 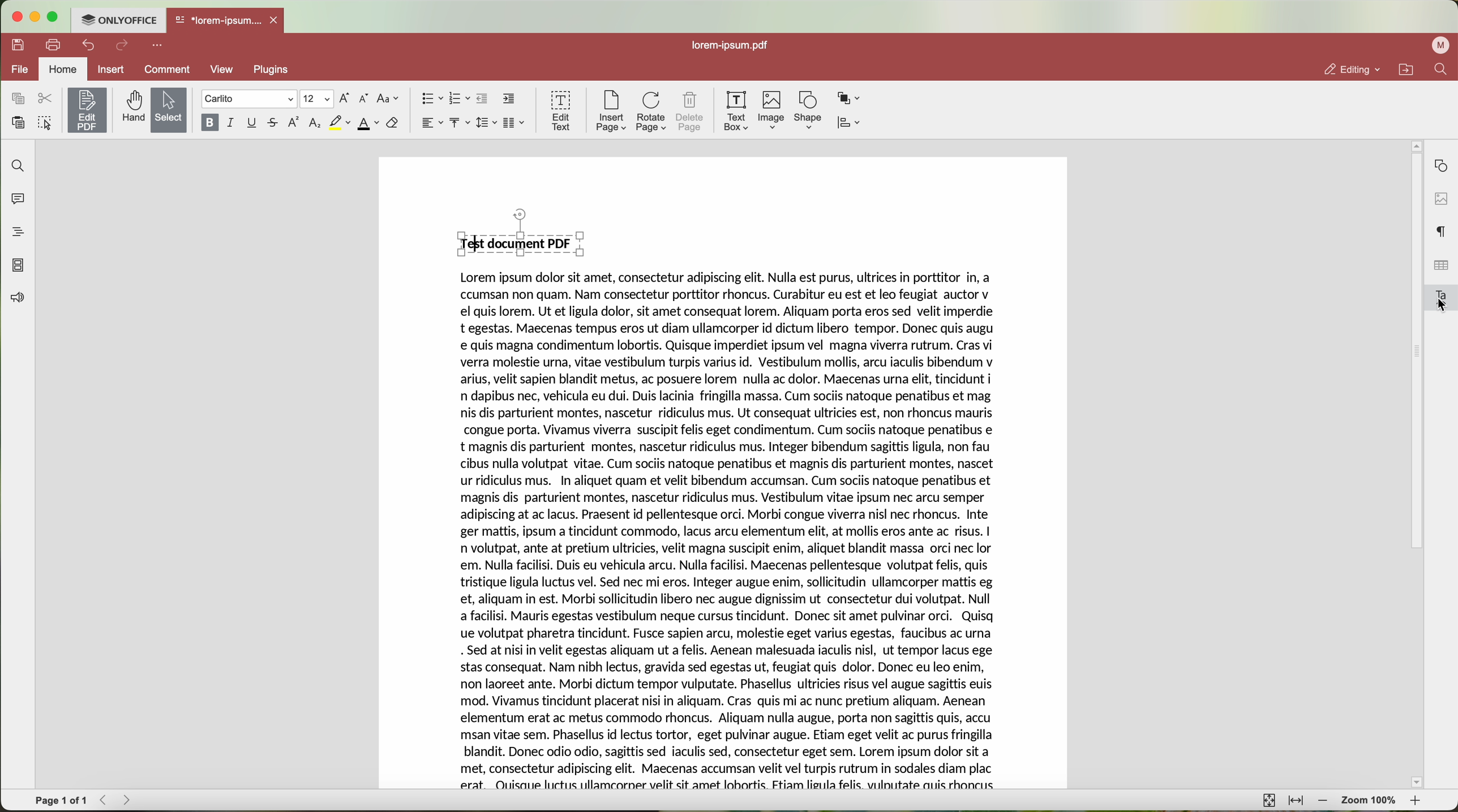 What do you see at coordinates (15, 299) in the screenshot?
I see `feedback & support` at bounding box center [15, 299].